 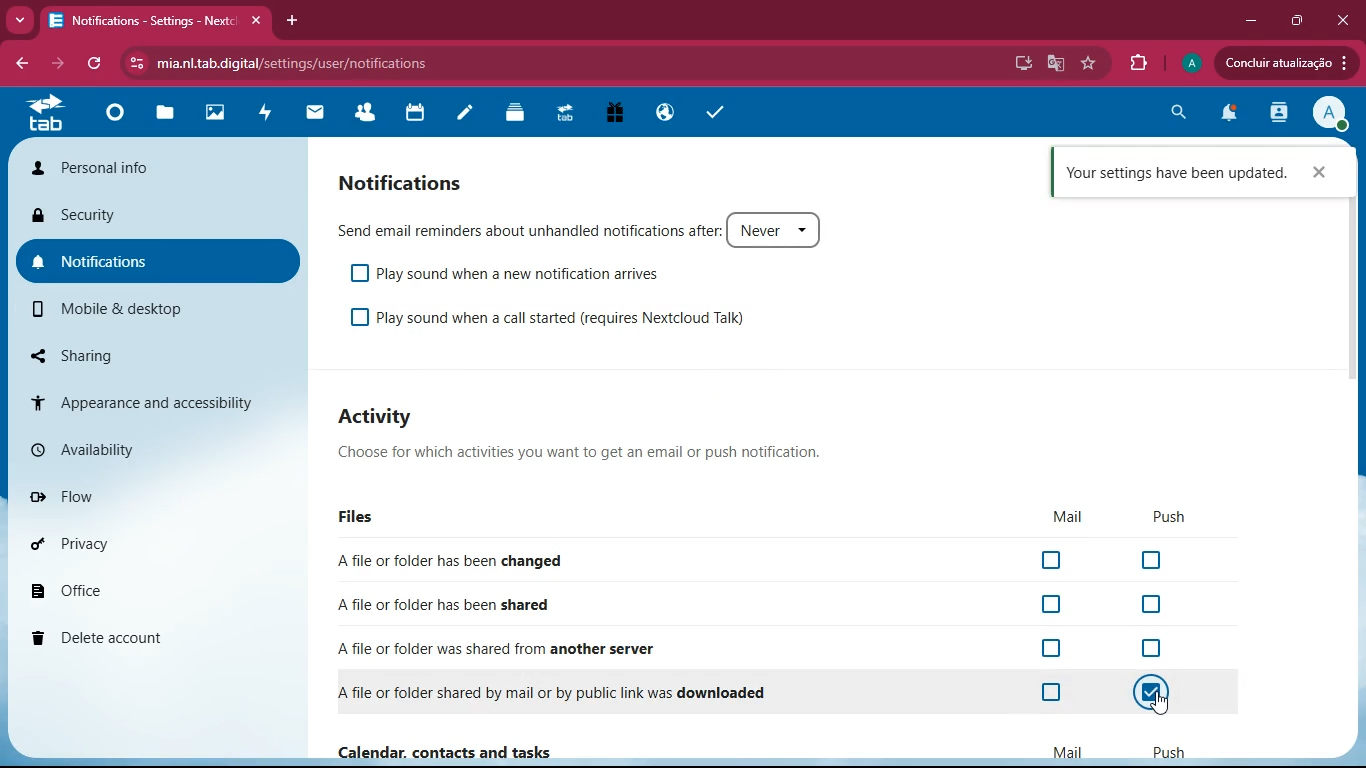 I want to click on Afile or folder has been changed, so click(x=461, y=560).